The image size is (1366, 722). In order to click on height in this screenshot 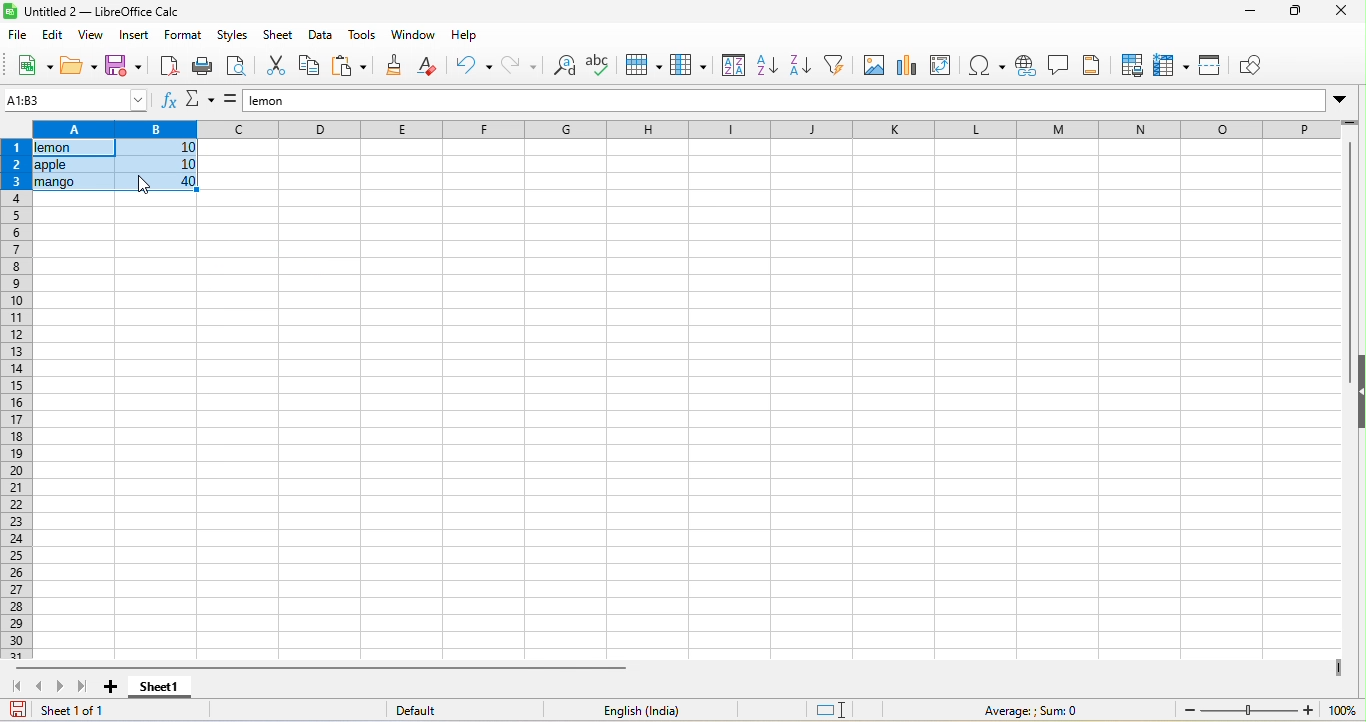, I will do `click(1357, 392)`.